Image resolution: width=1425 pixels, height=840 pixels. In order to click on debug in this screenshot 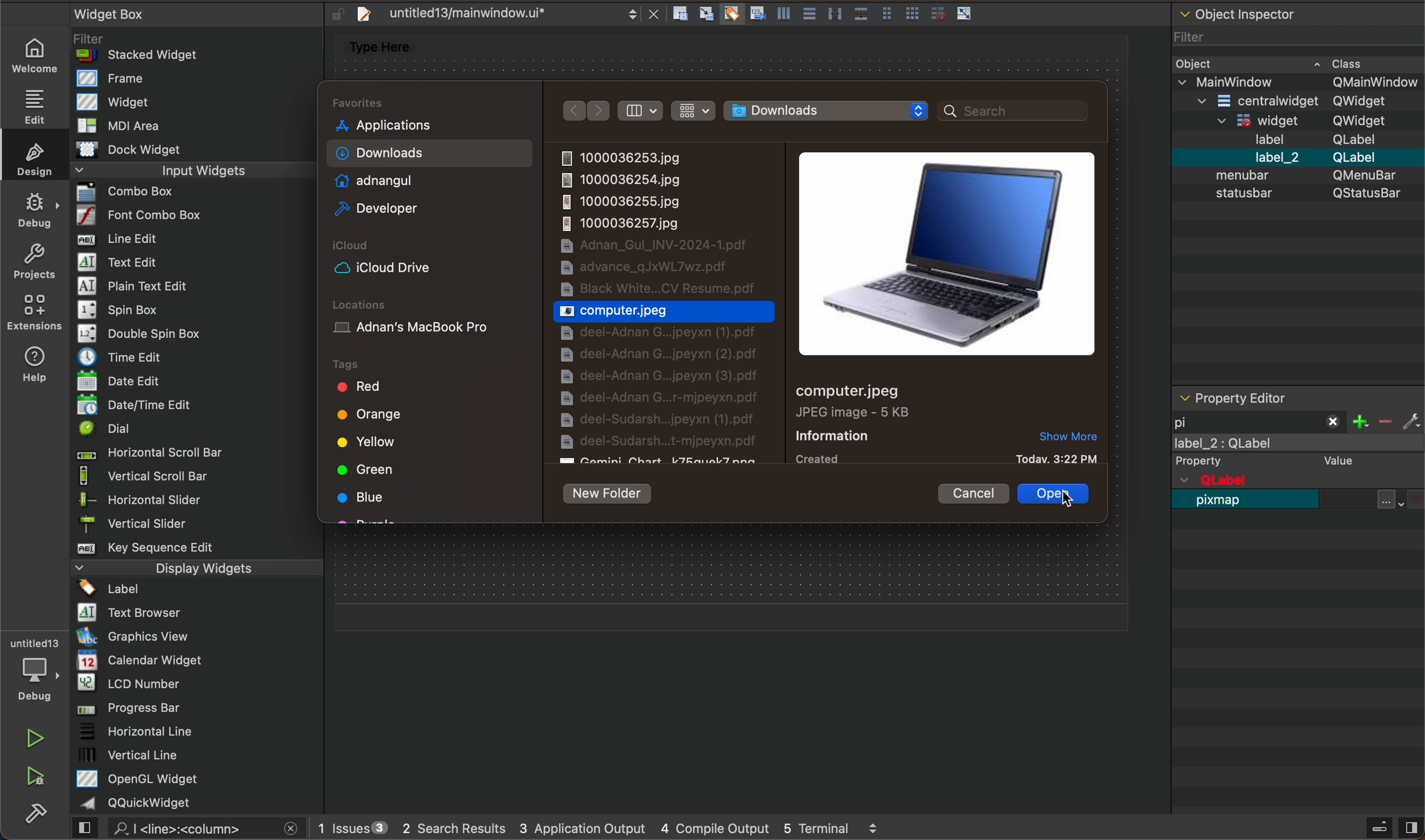, I will do `click(34, 206)`.